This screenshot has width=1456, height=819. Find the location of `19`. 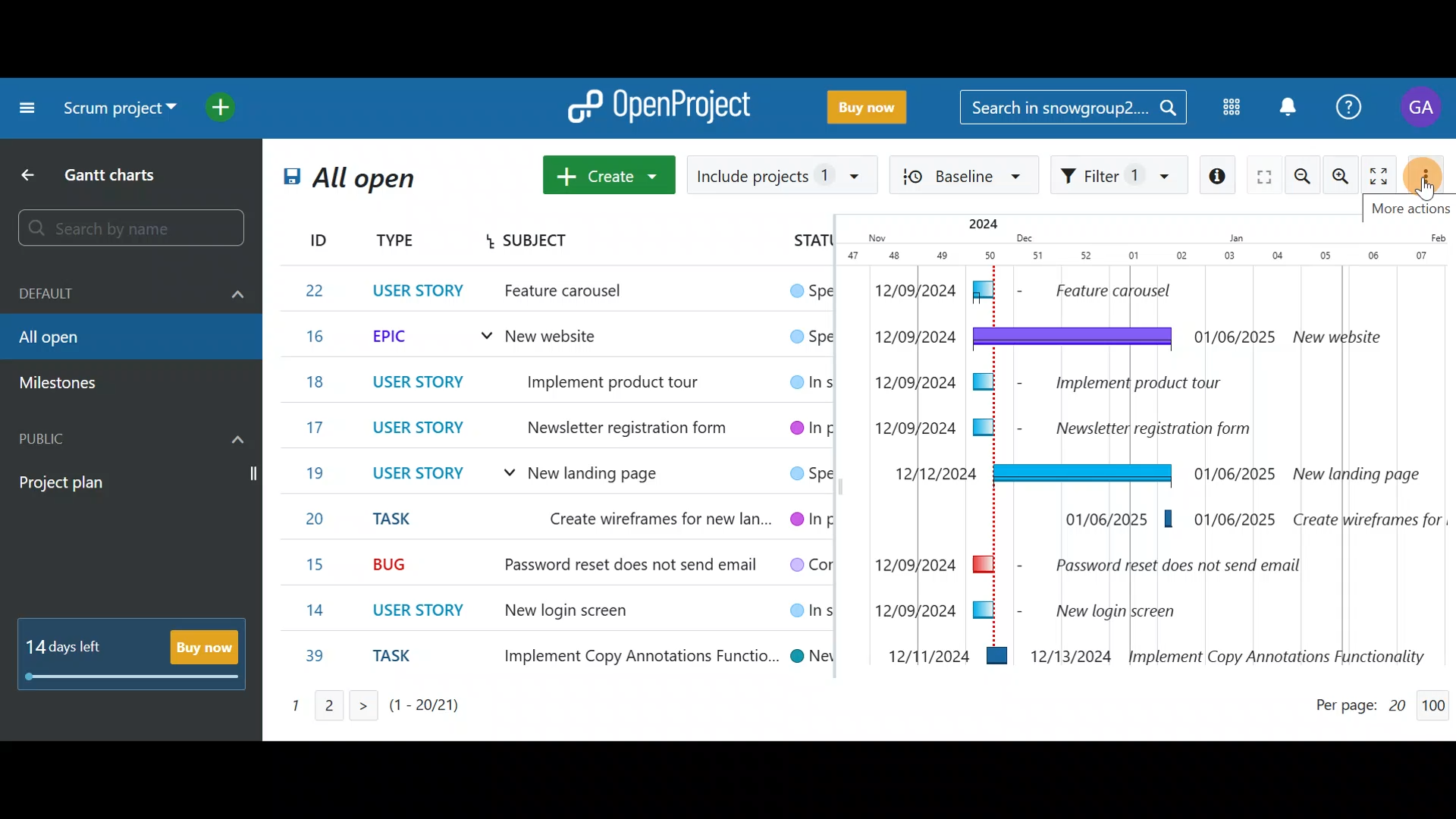

19 is located at coordinates (317, 472).